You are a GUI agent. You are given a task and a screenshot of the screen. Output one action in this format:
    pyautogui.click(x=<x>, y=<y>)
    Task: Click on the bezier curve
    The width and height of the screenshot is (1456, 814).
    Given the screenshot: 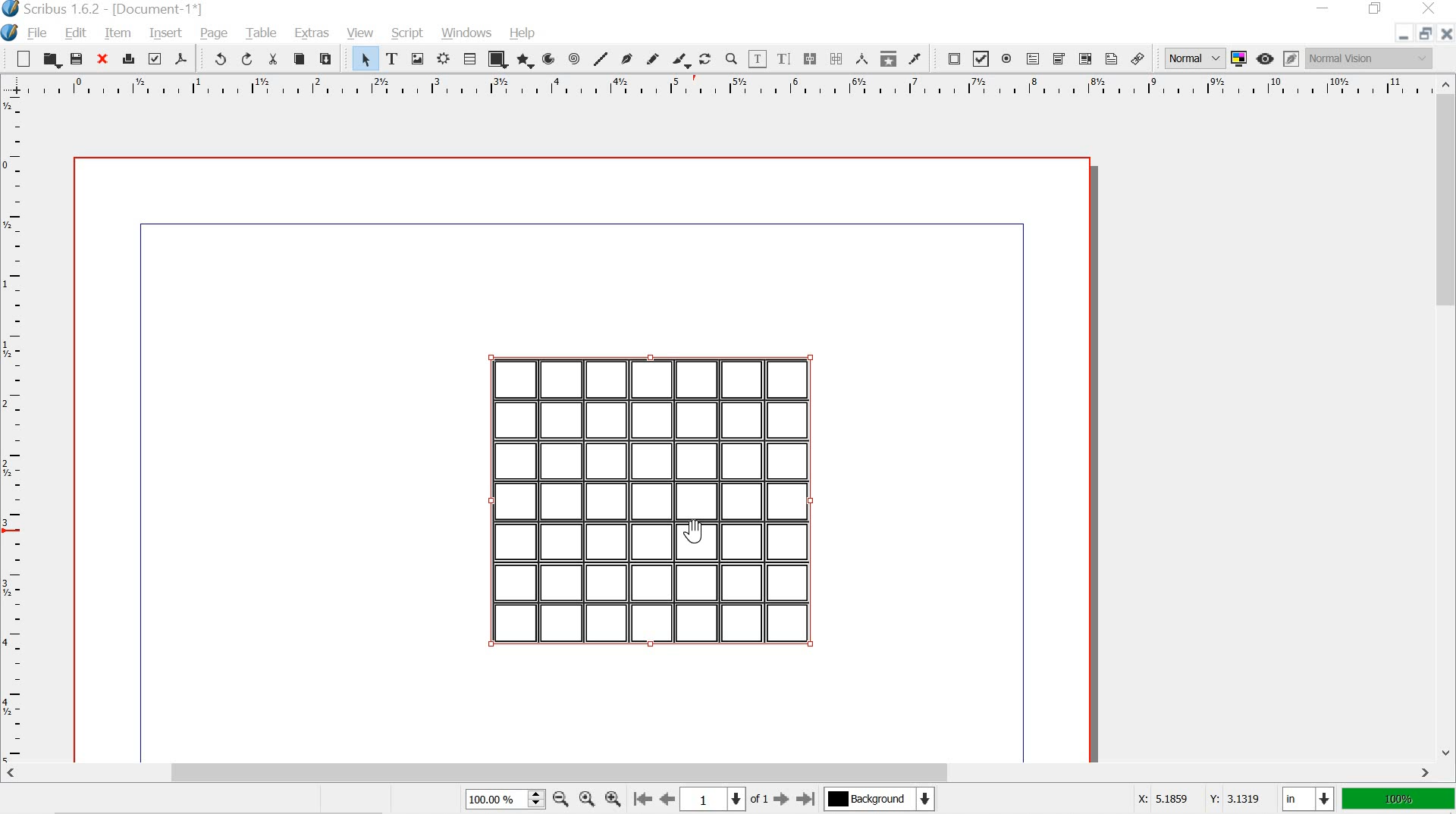 What is the action you would take?
    pyautogui.click(x=626, y=59)
    